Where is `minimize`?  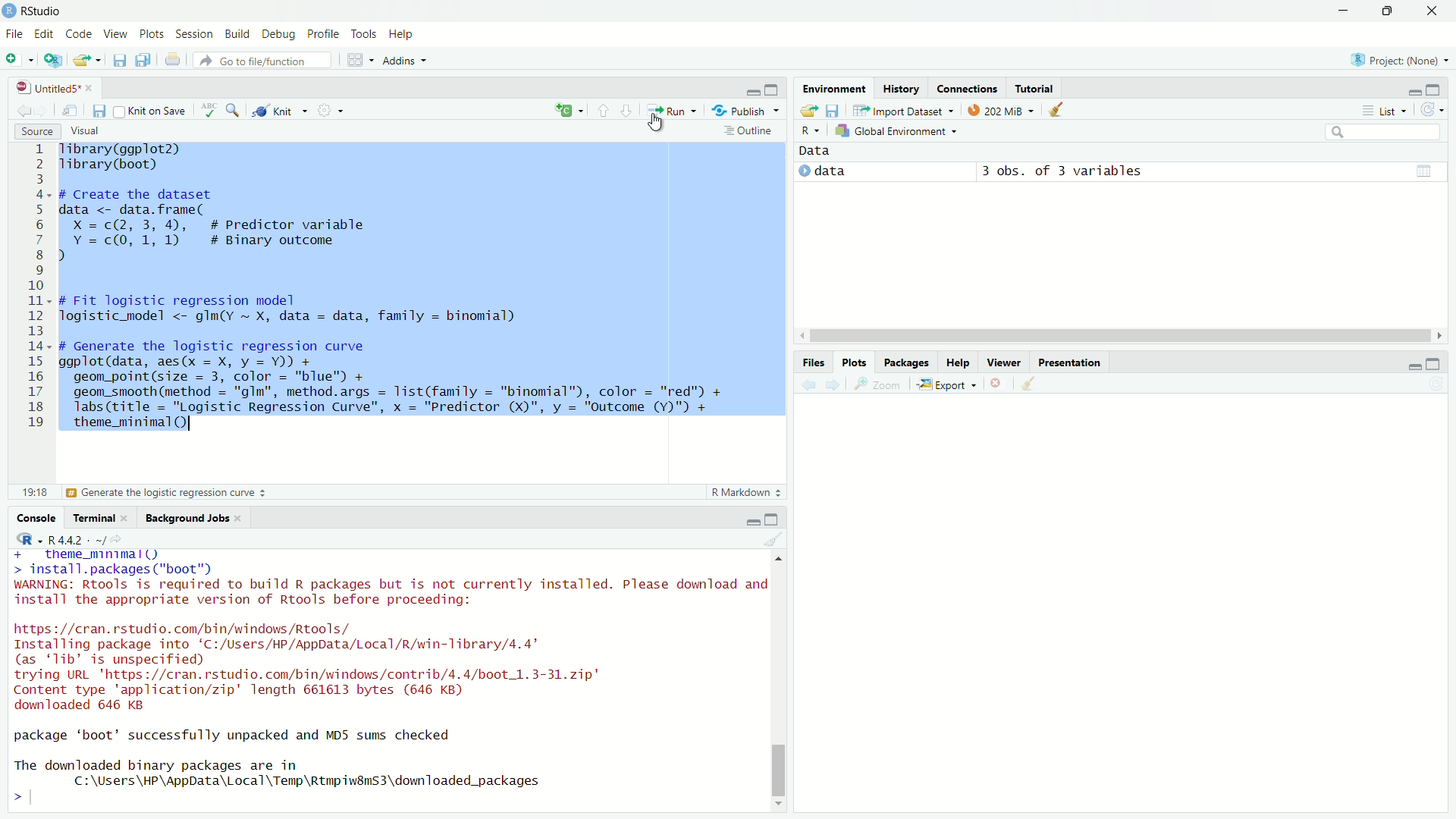
minimize is located at coordinates (753, 92).